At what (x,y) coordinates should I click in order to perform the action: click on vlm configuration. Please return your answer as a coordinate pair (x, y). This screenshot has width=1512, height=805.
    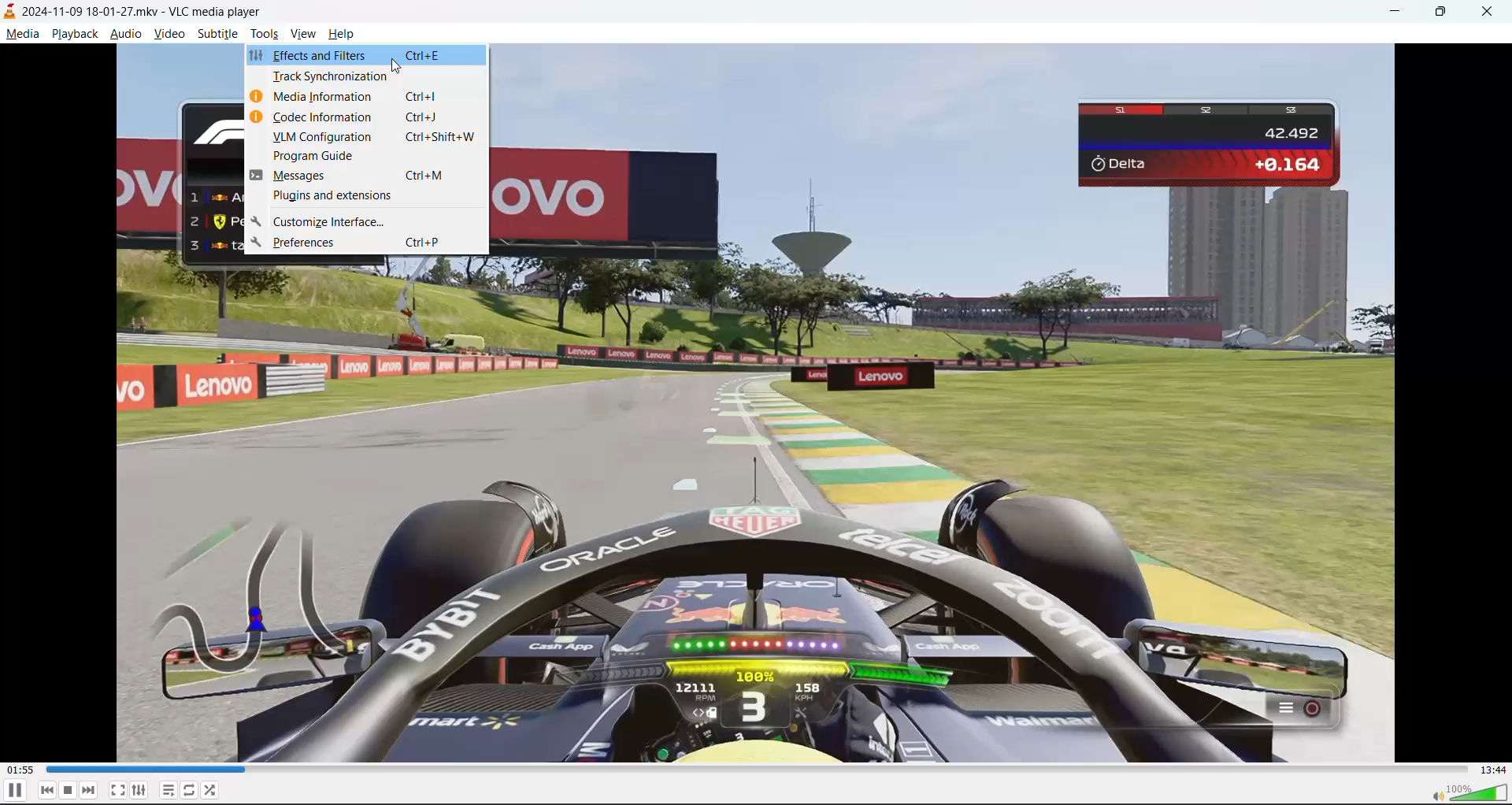
    Looking at the image, I should click on (368, 136).